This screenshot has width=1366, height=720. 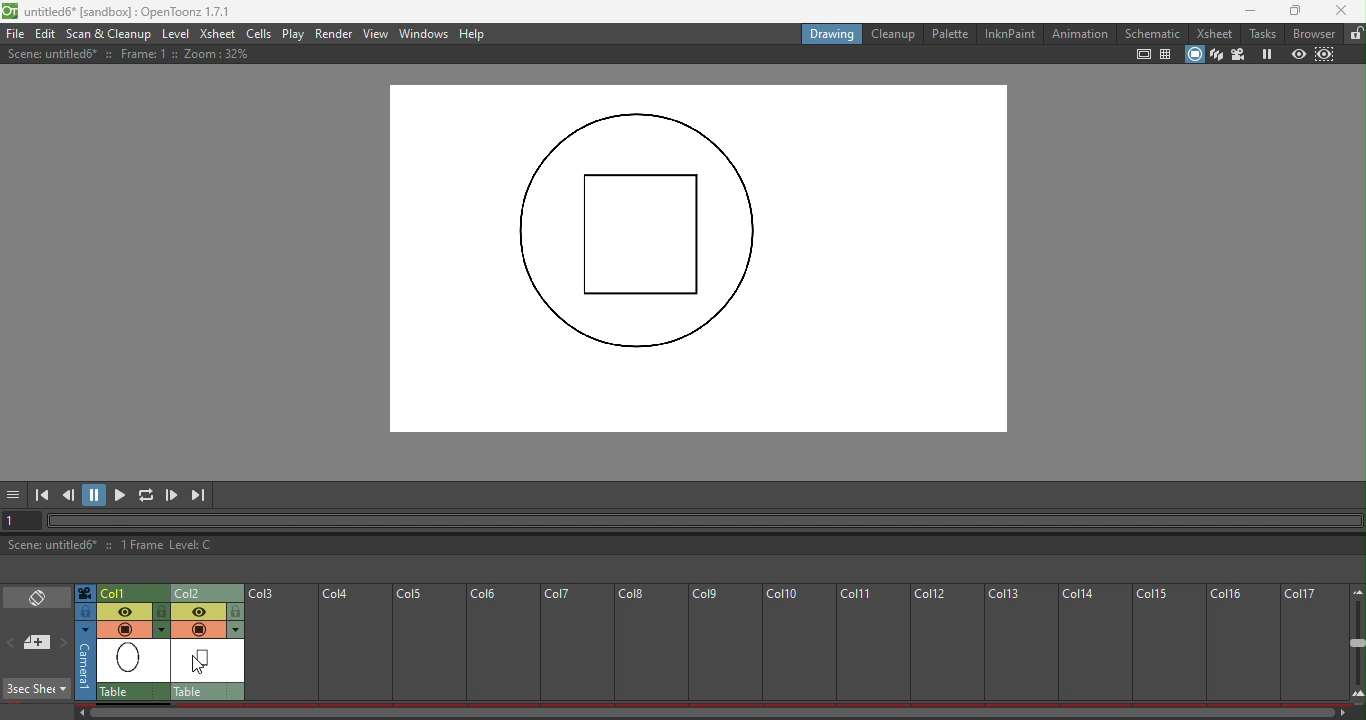 I want to click on Lock rooms tab, so click(x=1353, y=34).